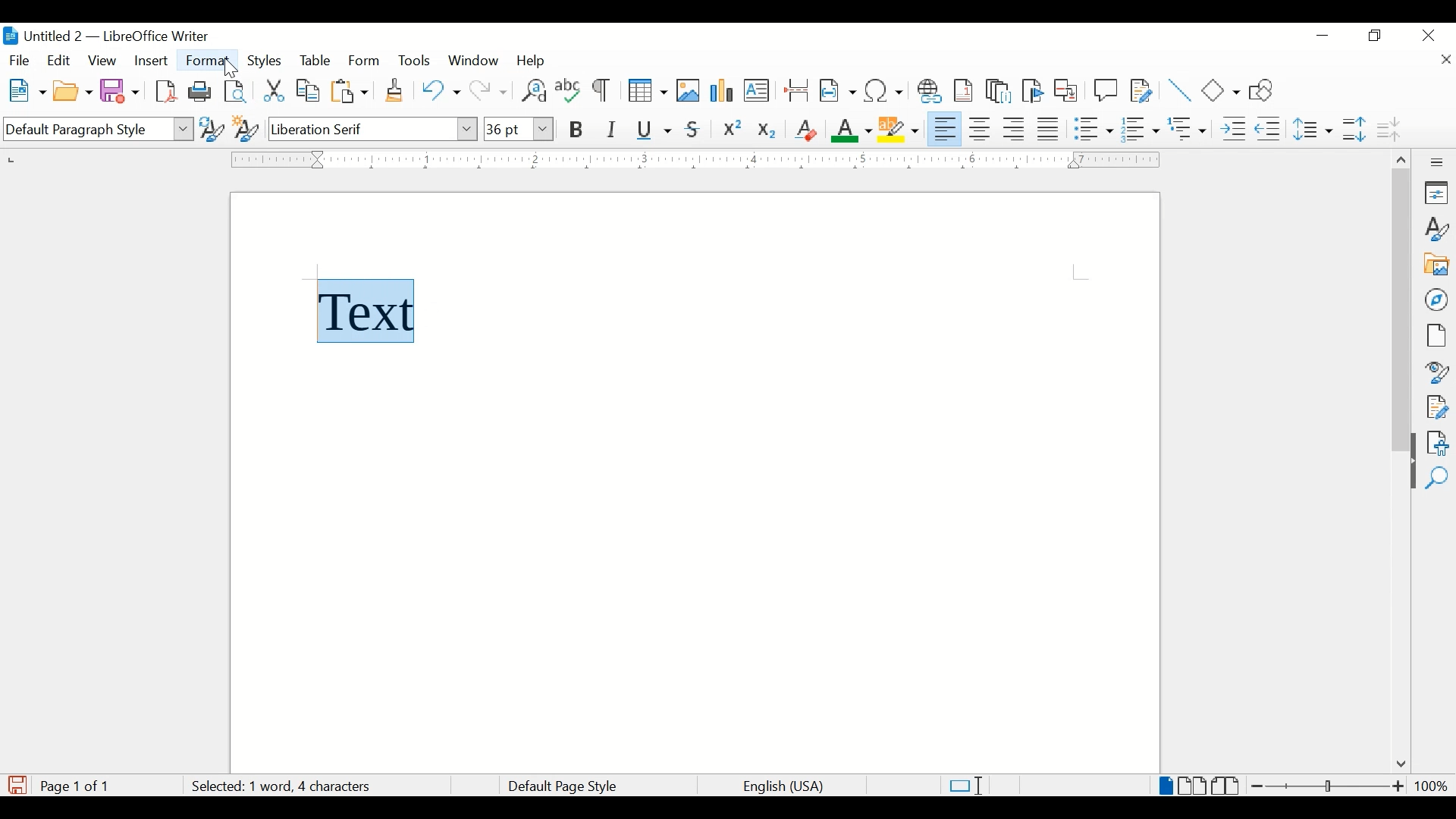  I want to click on toggle formatting marks, so click(603, 92).